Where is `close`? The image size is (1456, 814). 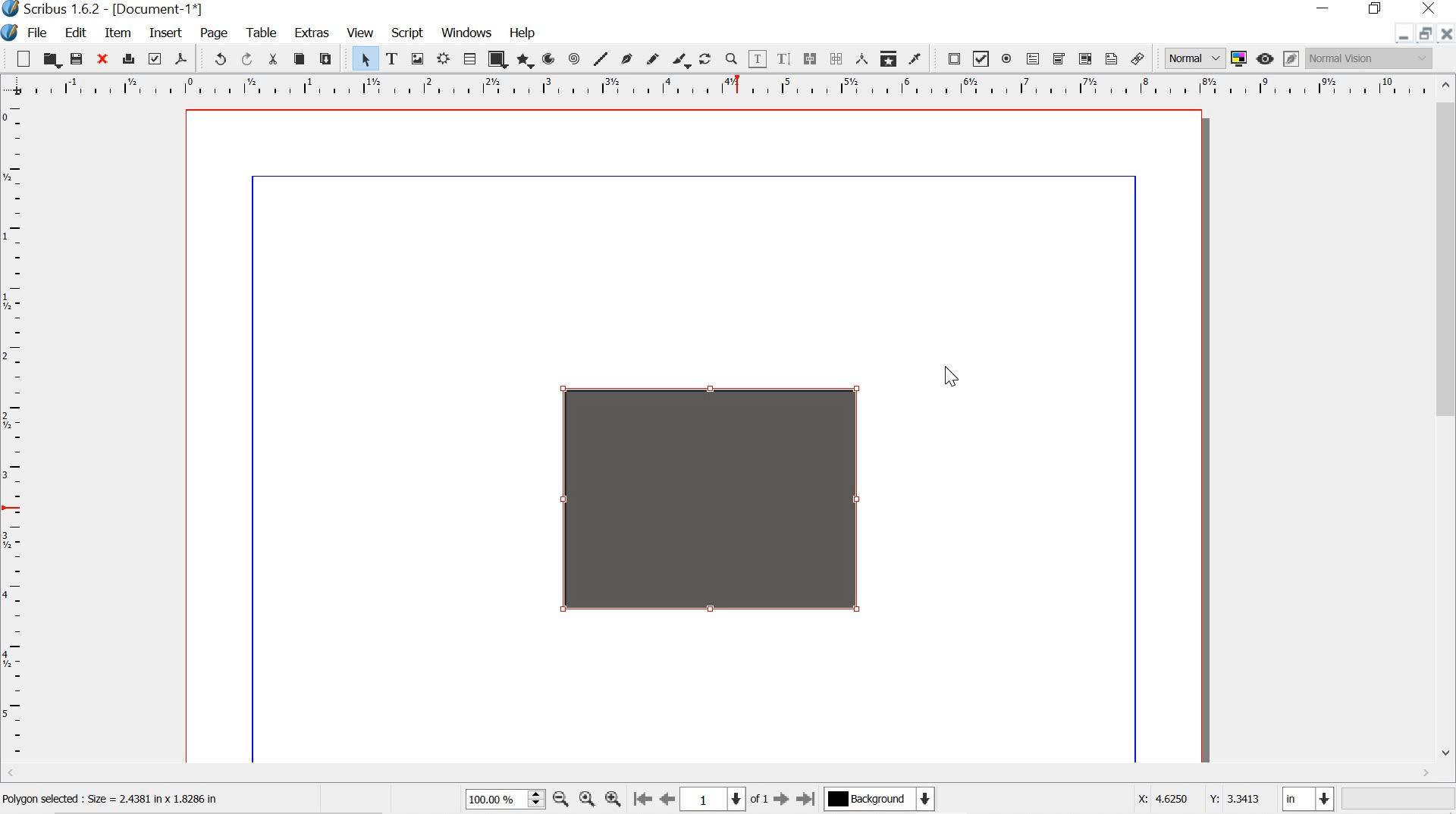 close is located at coordinates (1429, 9).